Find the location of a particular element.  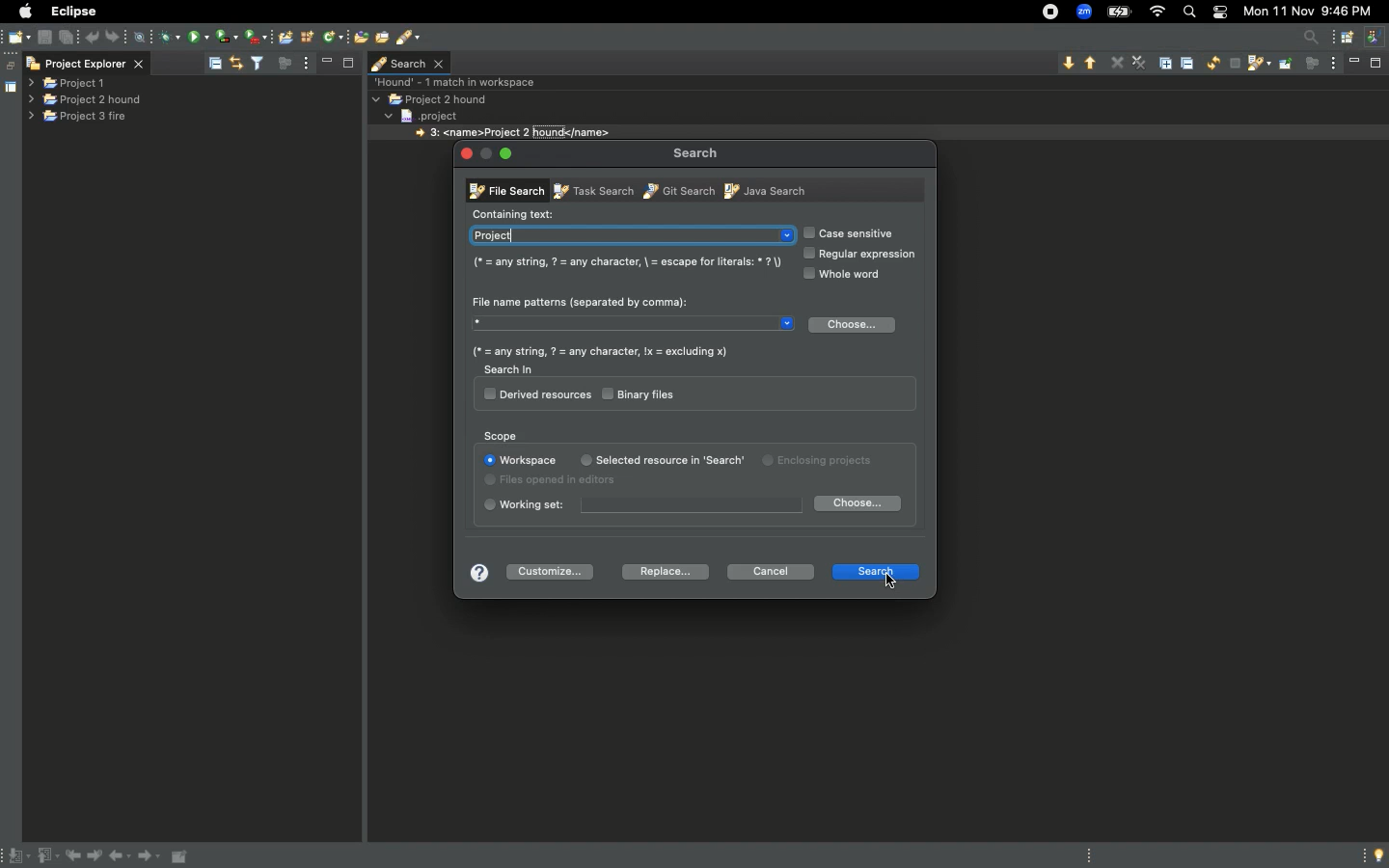

Hound - 1 match in workspace is located at coordinates (459, 81).